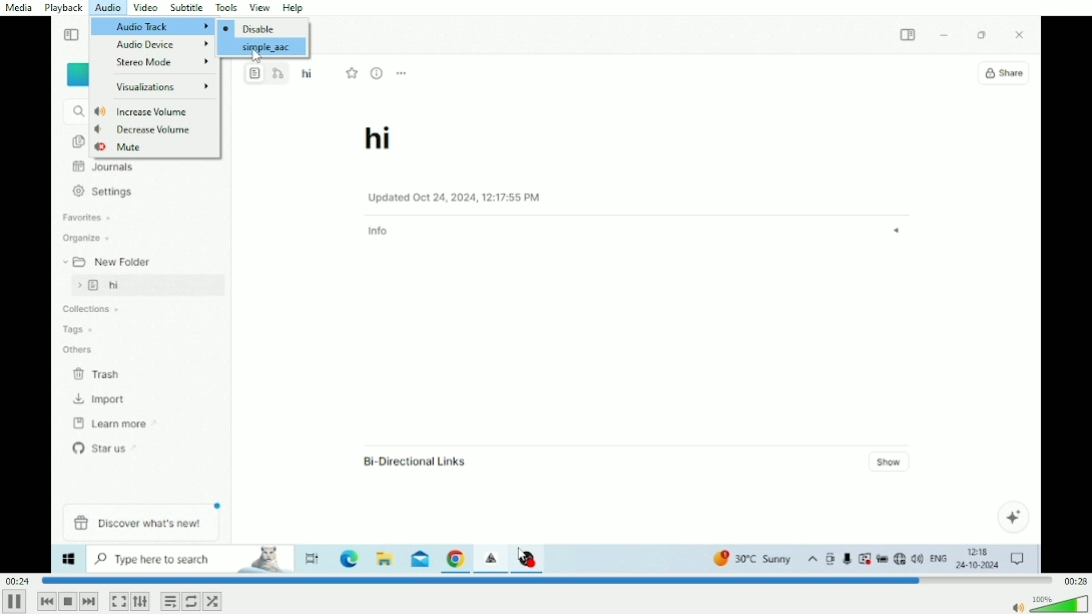 This screenshot has height=614, width=1092. What do you see at coordinates (144, 129) in the screenshot?
I see `Decrease Volume` at bounding box center [144, 129].